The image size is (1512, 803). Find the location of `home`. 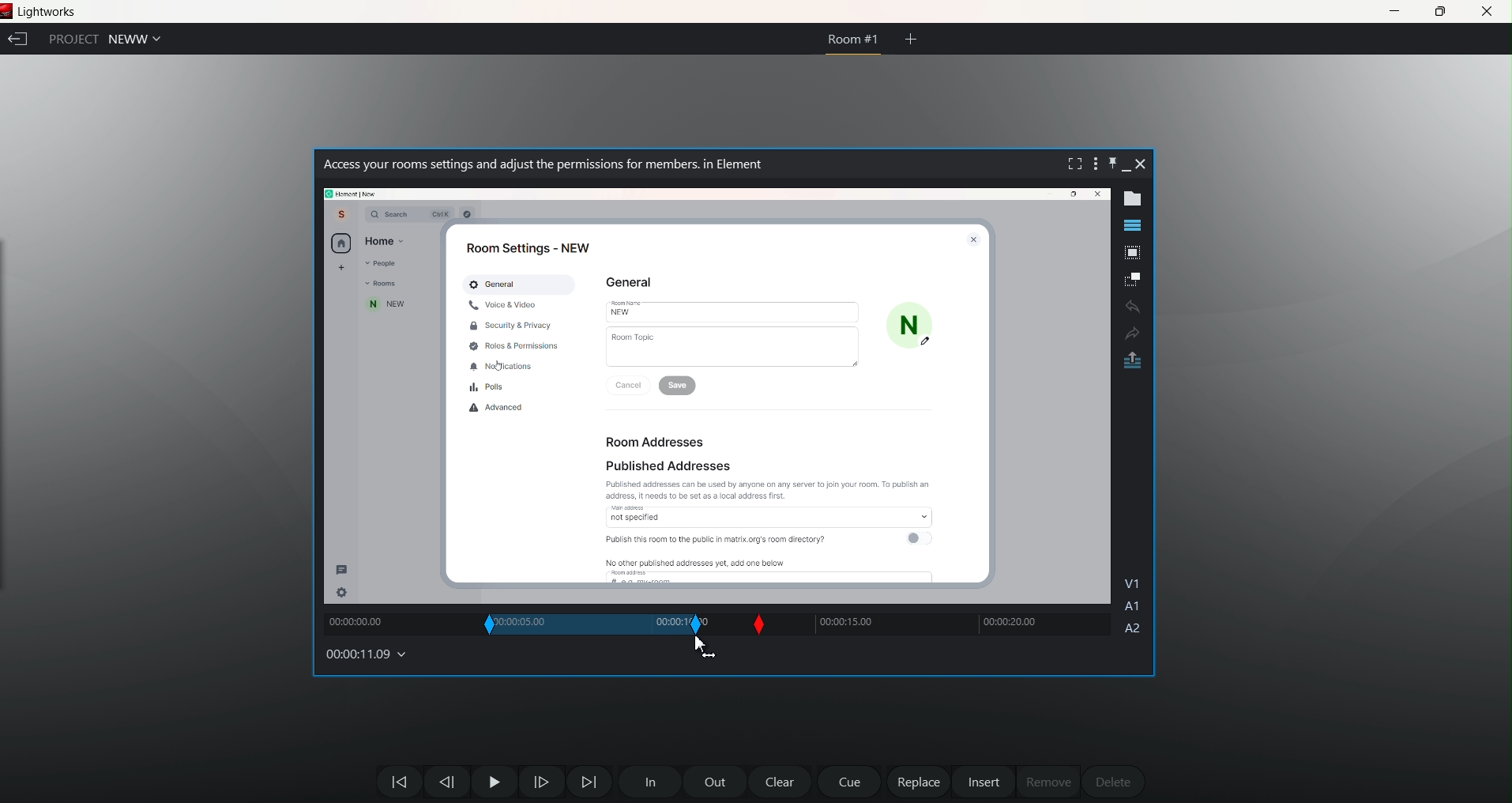

home is located at coordinates (340, 243).